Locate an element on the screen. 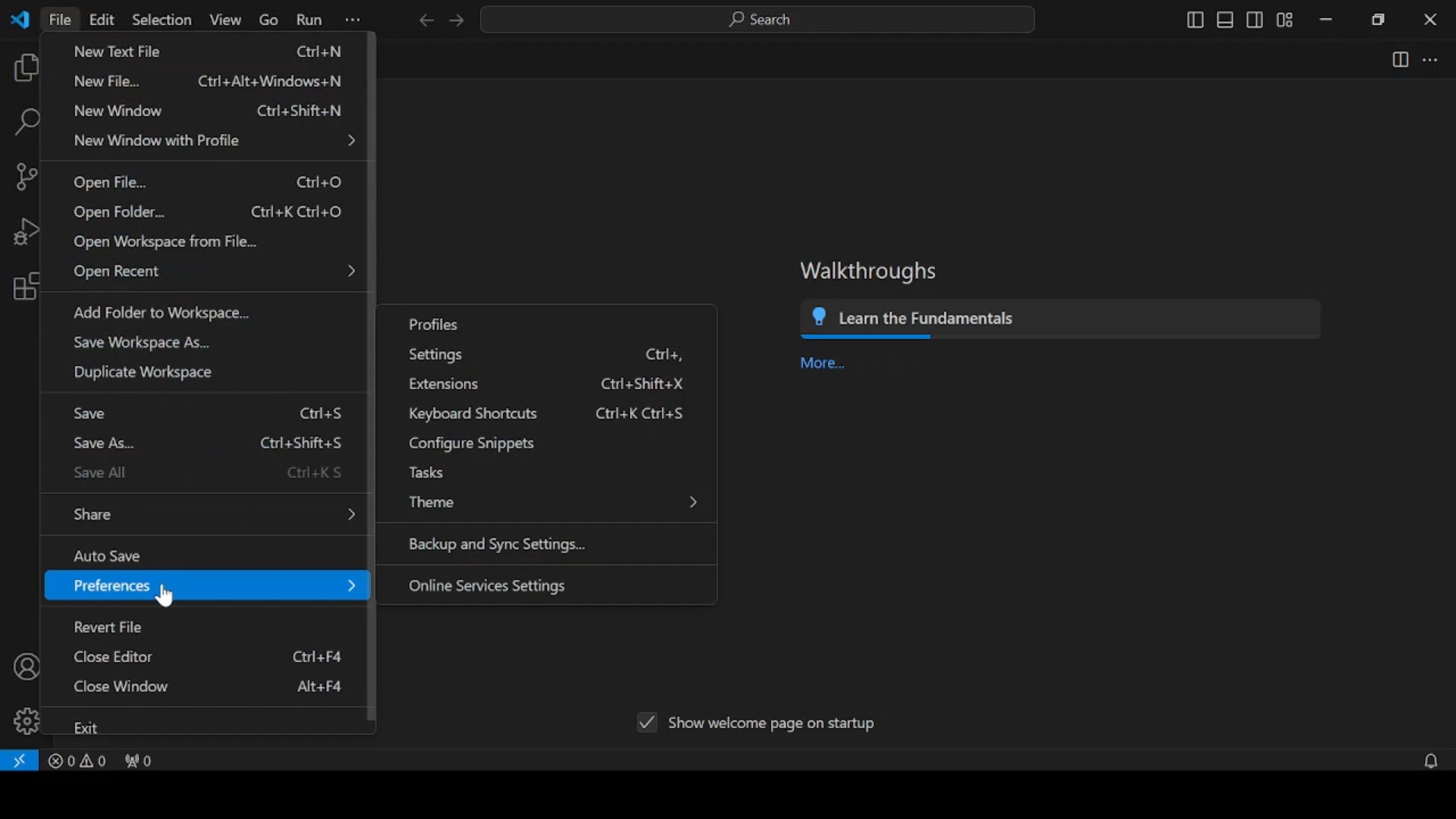 The image size is (1456, 819). Ctrl+o is located at coordinates (321, 181).